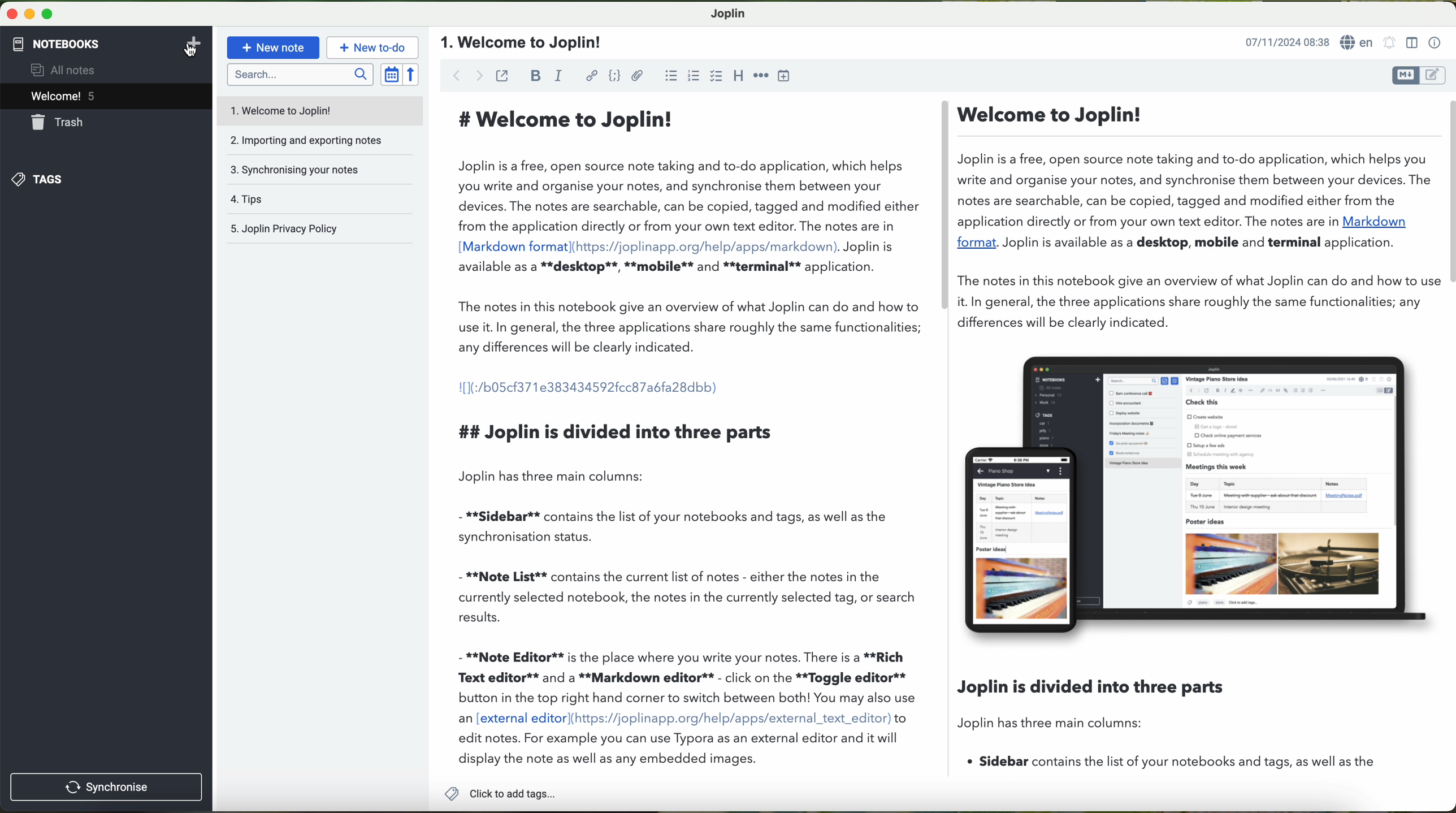 Image resolution: width=1456 pixels, height=813 pixels. I want to click on forward, so click(477, 75).